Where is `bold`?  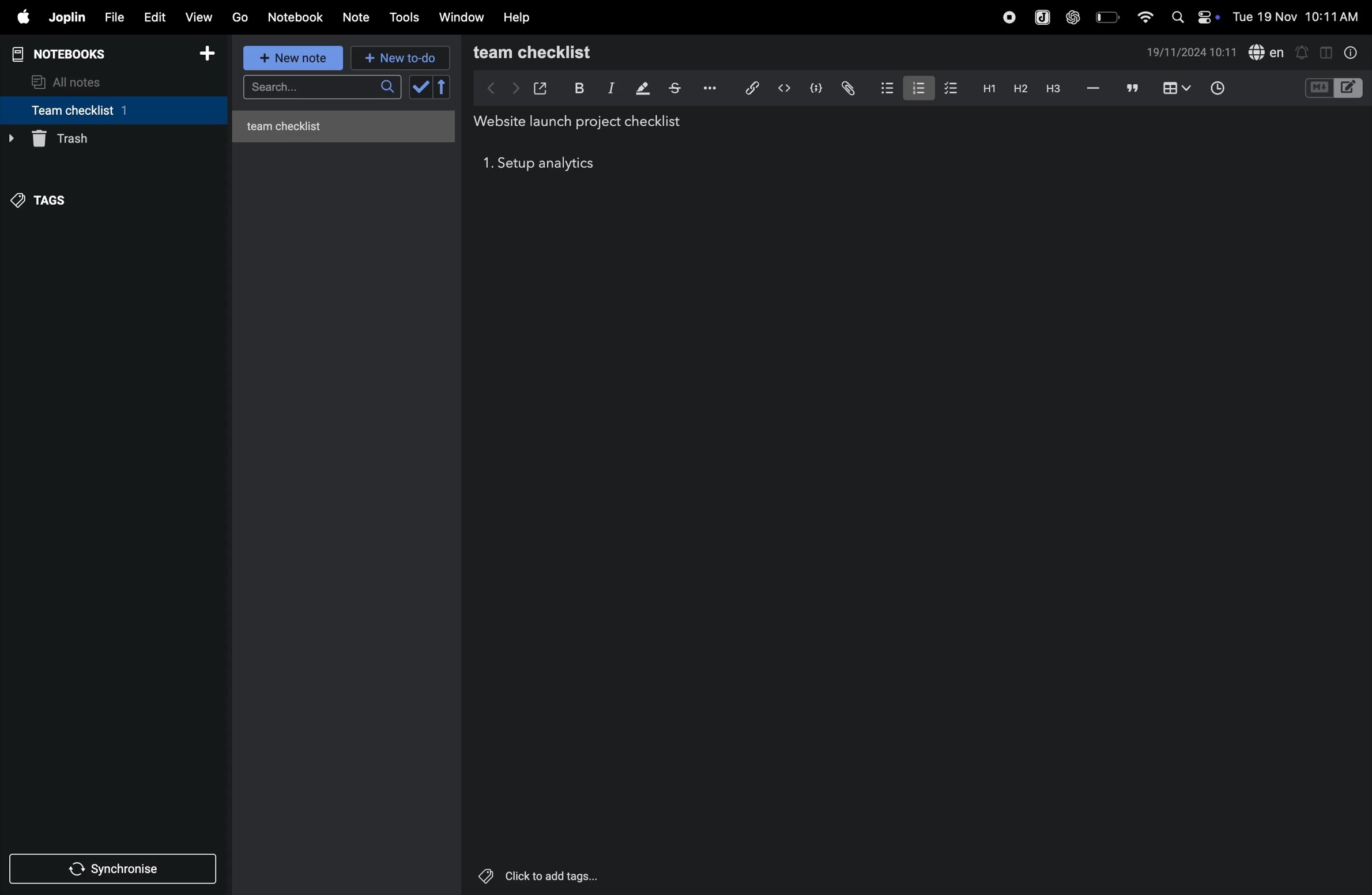 bold is located at coordinates (578, 87).